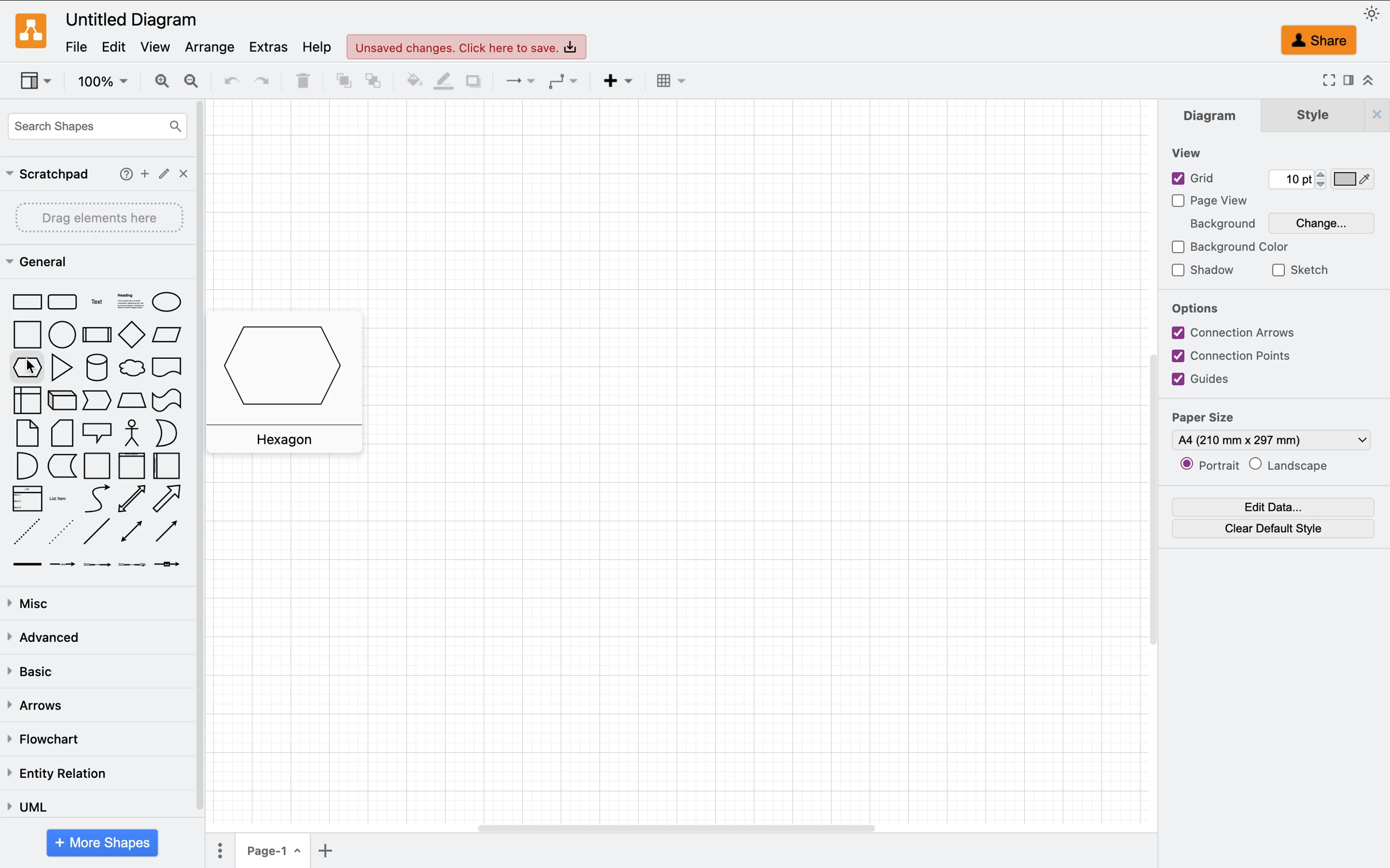  I want to click on text, so click(96, 300).